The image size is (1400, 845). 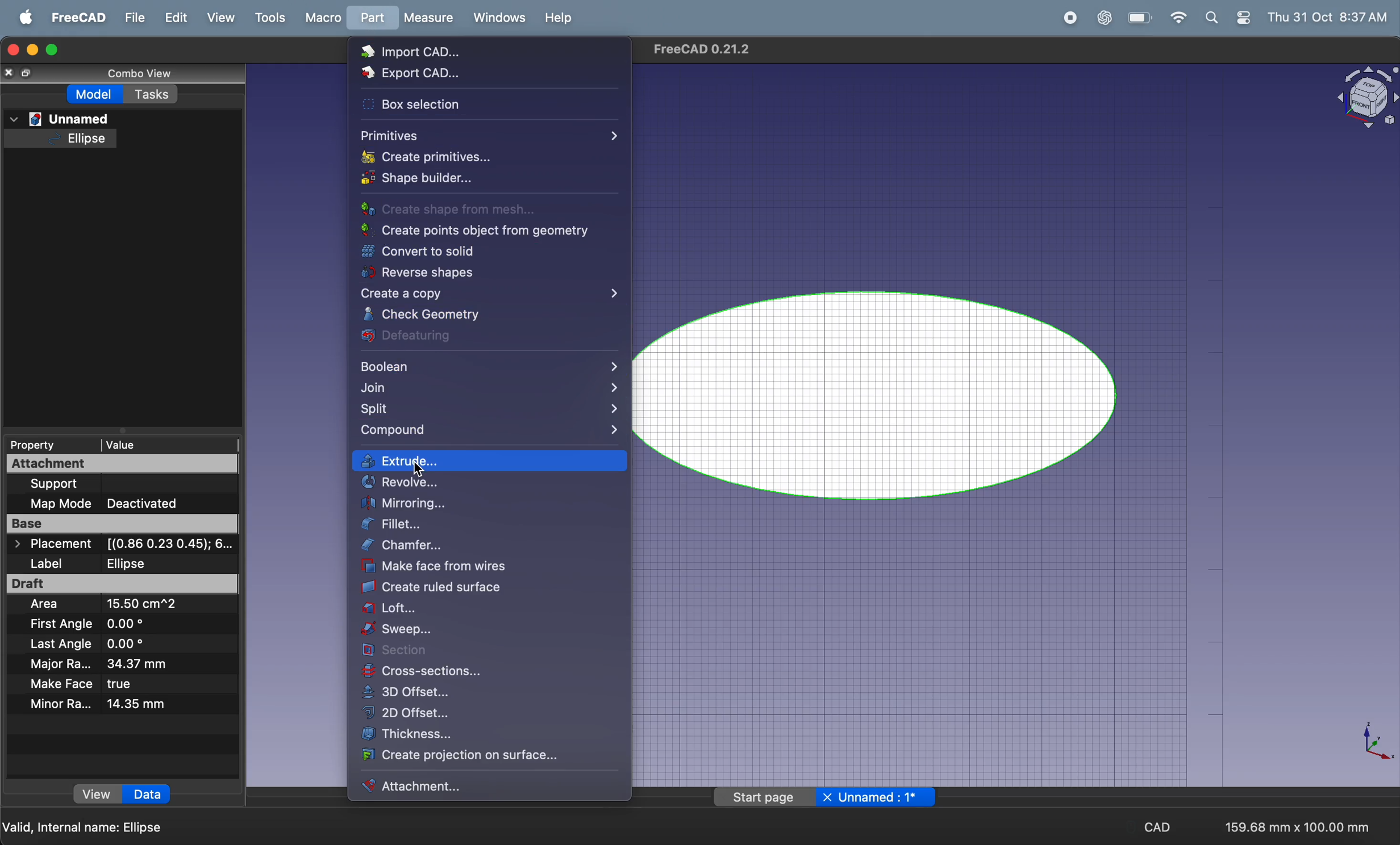 I want to click on cad, so click(x=1159, y=825).